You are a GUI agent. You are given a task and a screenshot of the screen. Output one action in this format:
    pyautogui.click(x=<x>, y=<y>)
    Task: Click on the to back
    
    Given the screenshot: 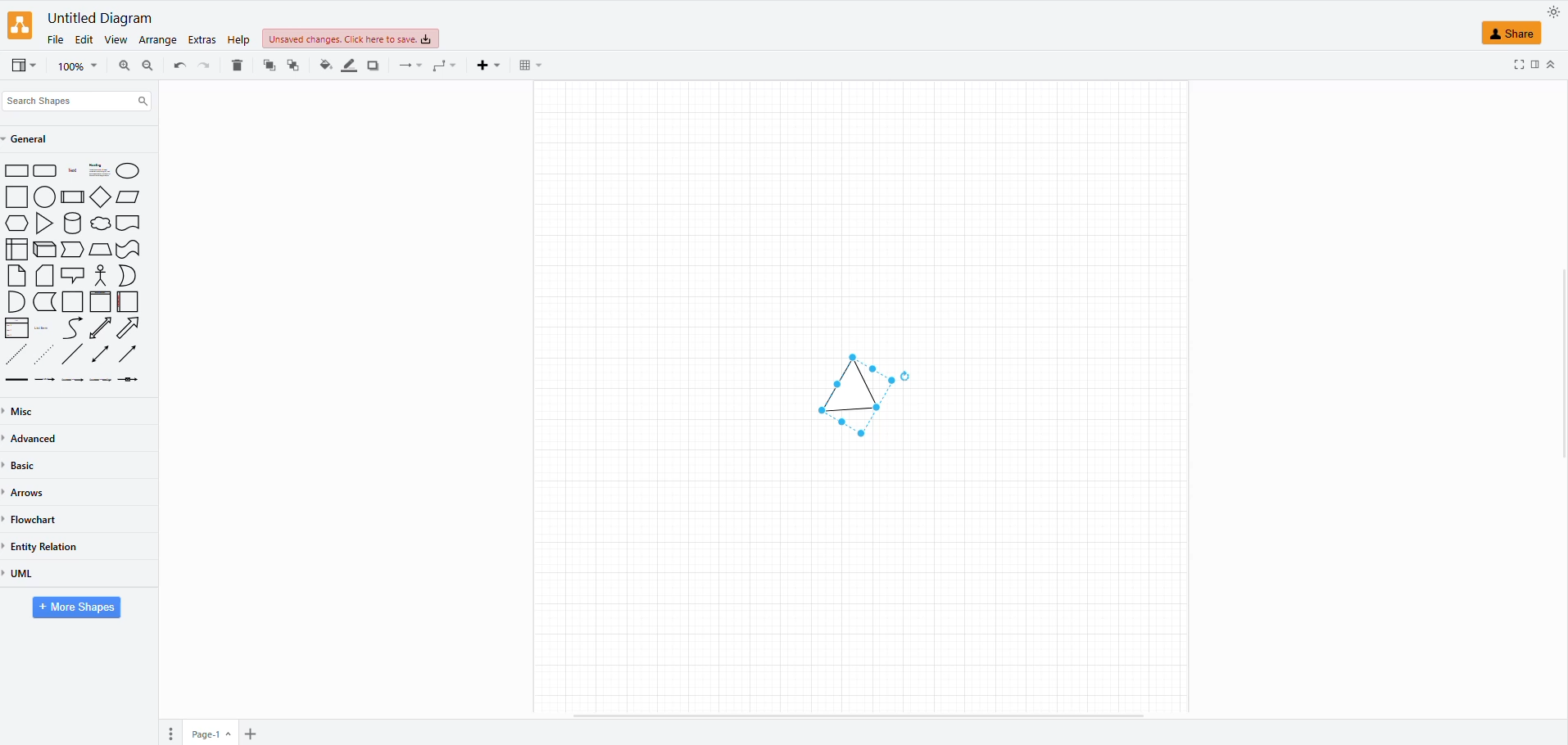 What is the action you would take?
    pyautogui.click(x=268, y=65)
    